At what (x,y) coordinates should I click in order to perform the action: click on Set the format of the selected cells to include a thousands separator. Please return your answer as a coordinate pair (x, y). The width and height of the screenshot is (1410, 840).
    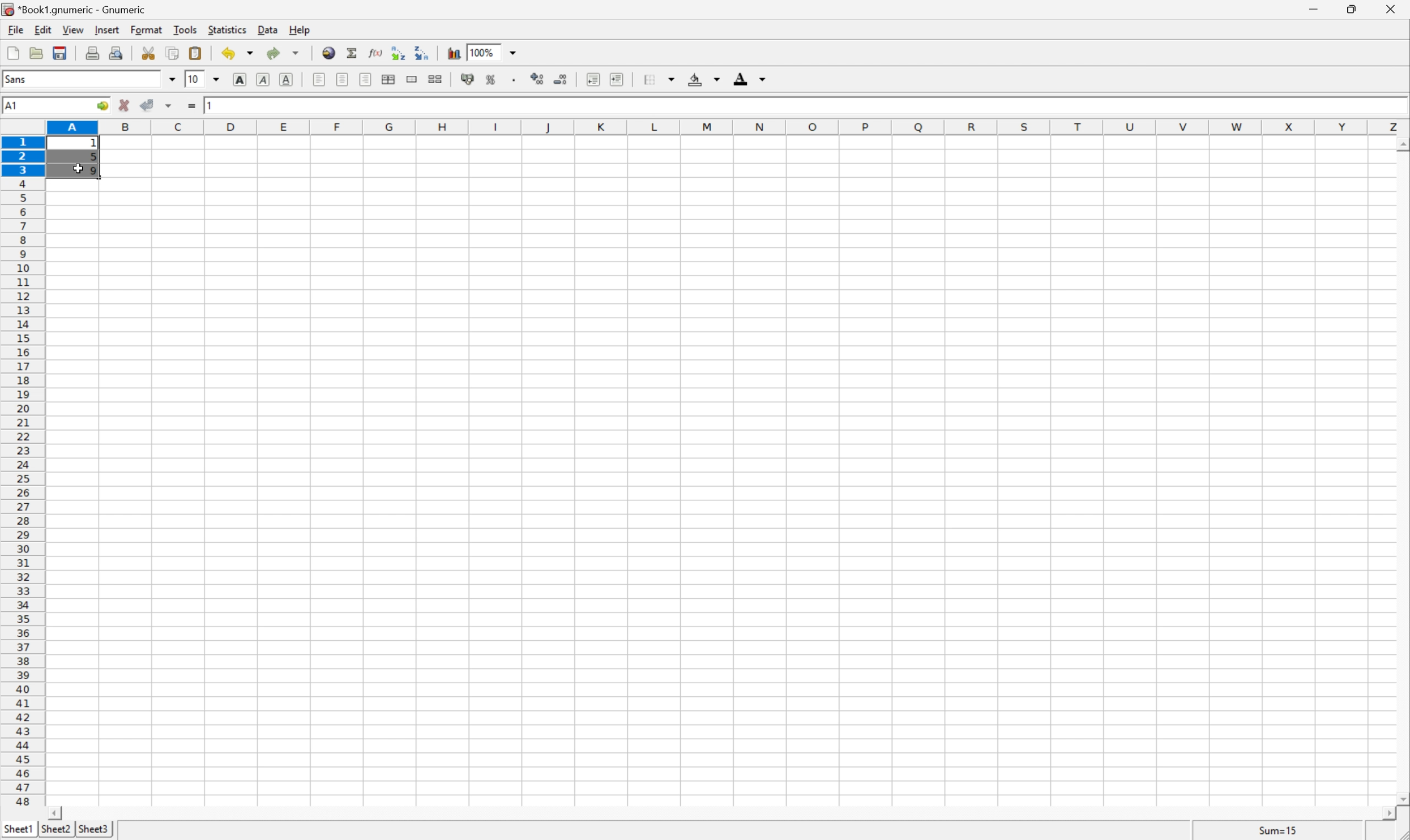
    Looking at the image, I should click on (516, 80).